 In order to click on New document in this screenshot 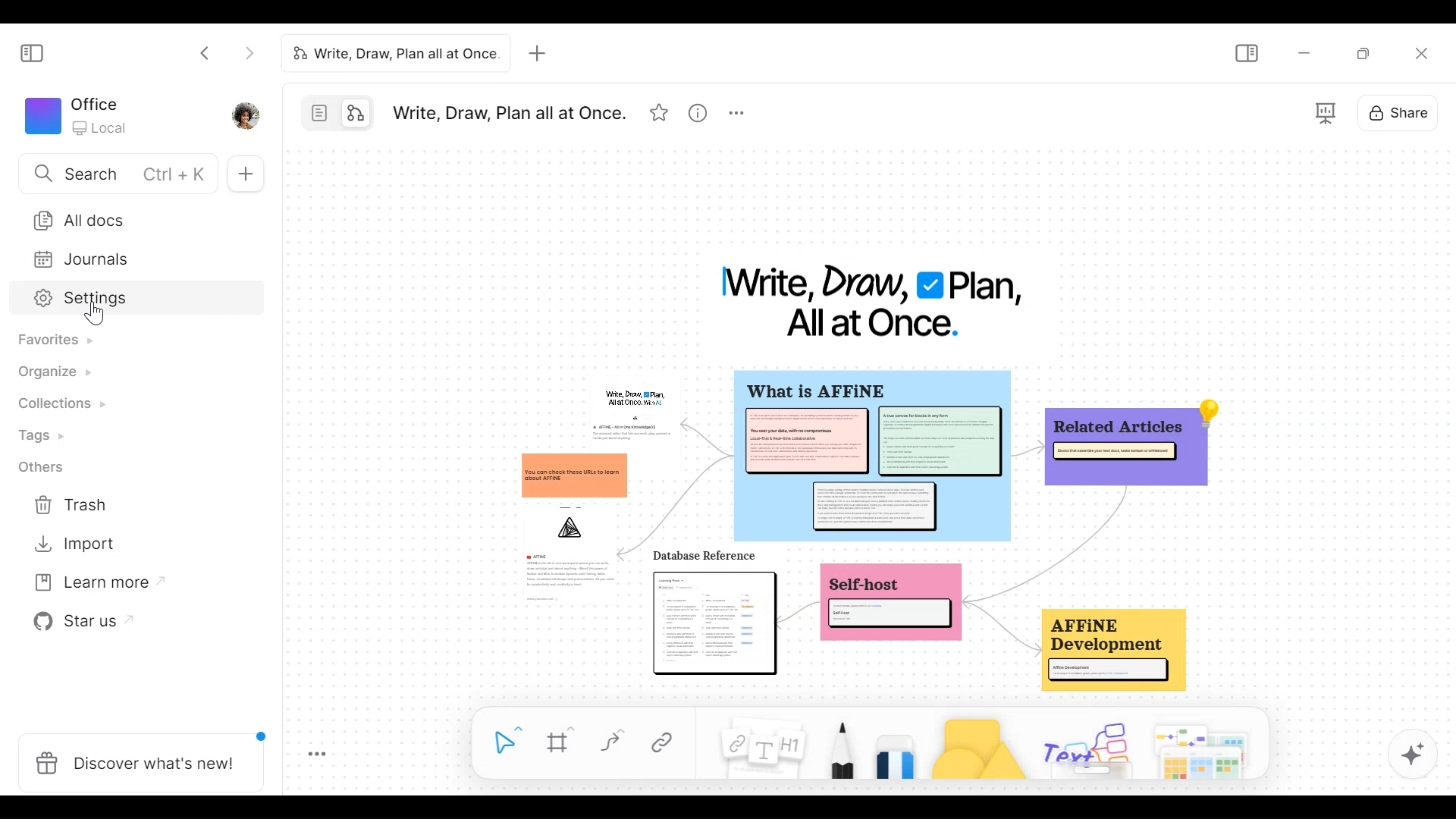, I will do `click(246, 171)`.